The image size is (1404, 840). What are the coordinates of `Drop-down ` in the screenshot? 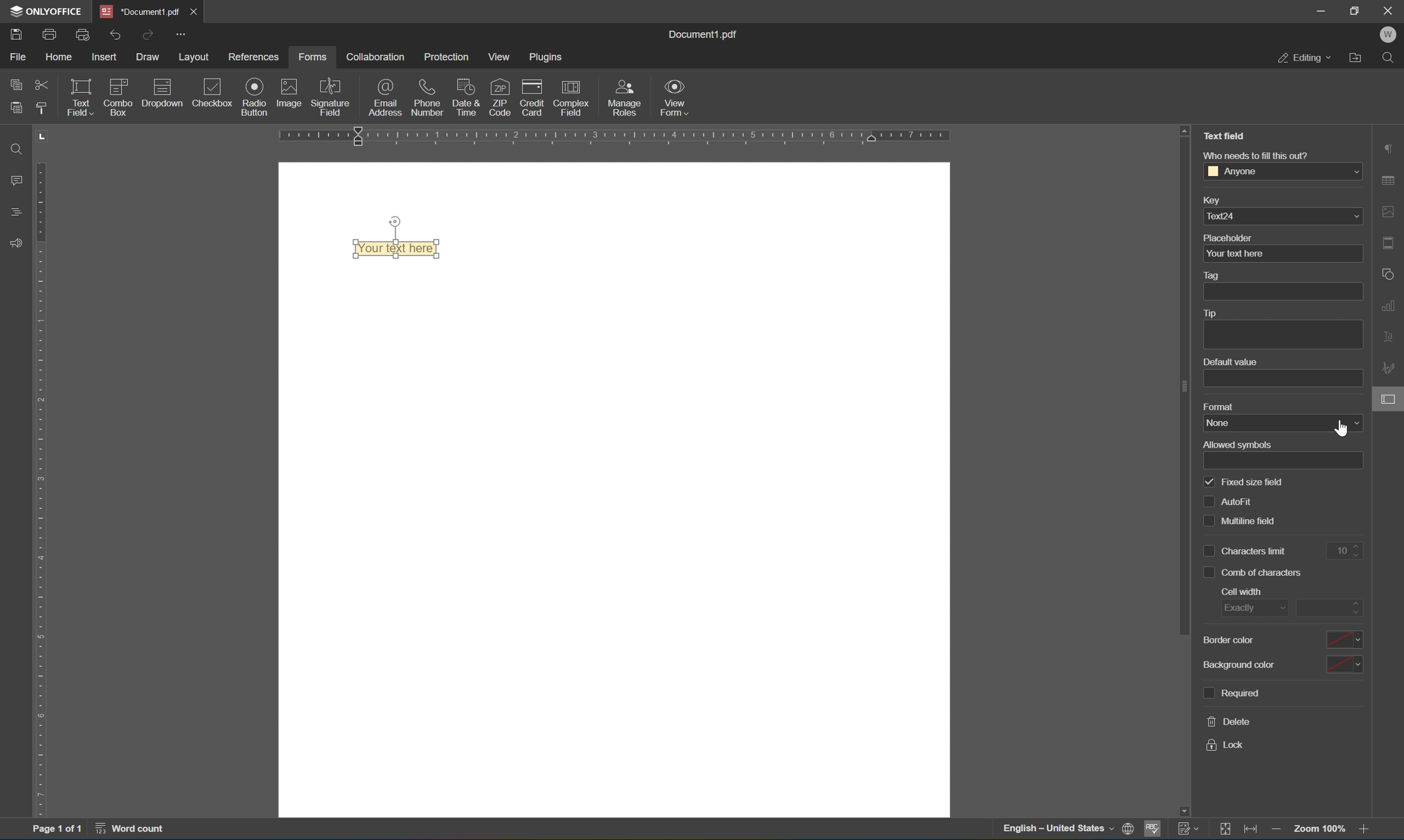 It's located at (162, 96).